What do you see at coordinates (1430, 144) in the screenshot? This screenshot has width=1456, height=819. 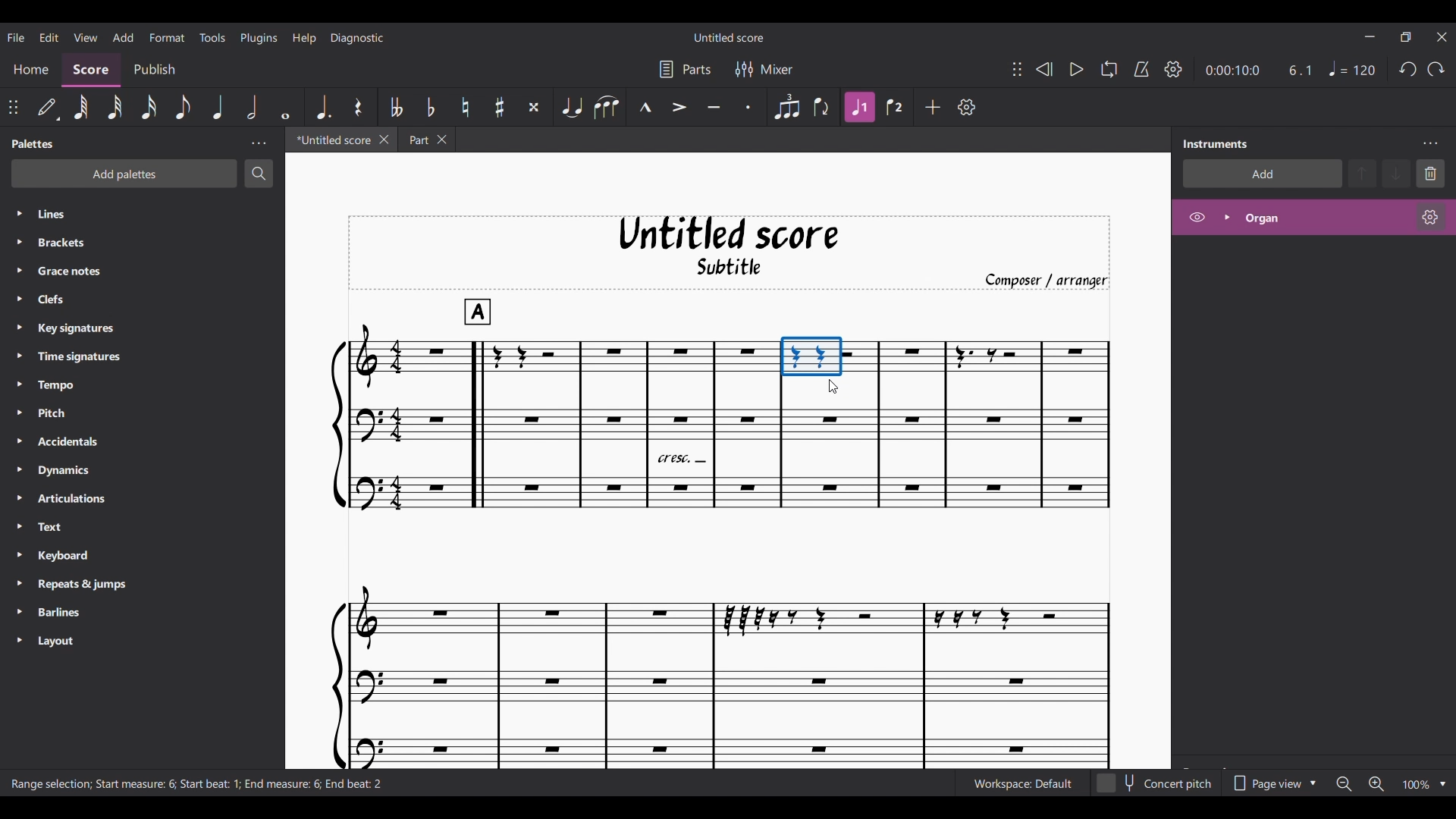 I see `Instrument panel settings` at bounding box center [1430, 144].